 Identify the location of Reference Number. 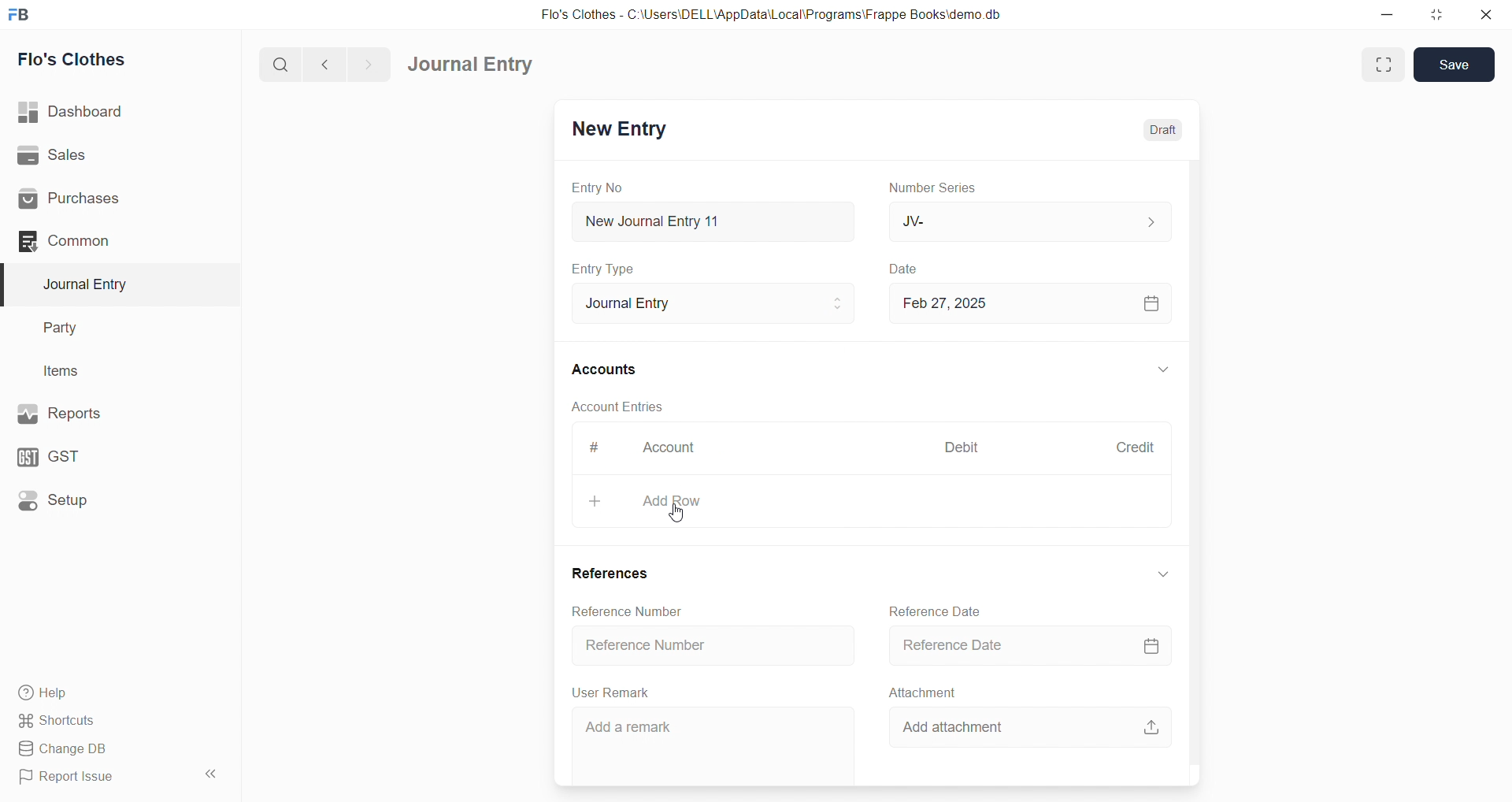
(714, 646).